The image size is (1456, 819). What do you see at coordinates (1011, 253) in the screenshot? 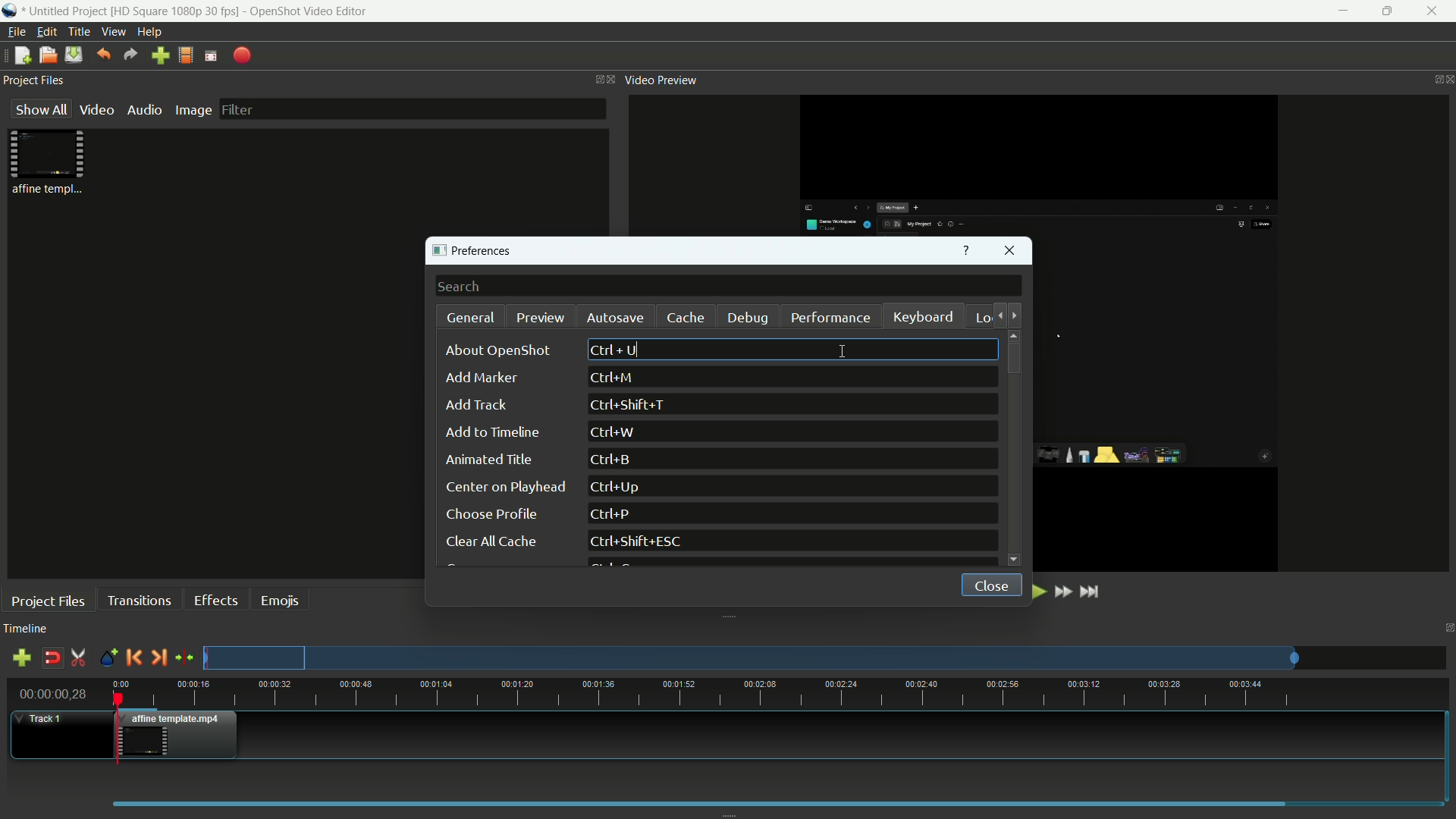
I see `close window` at bounding box center [1011, 253].